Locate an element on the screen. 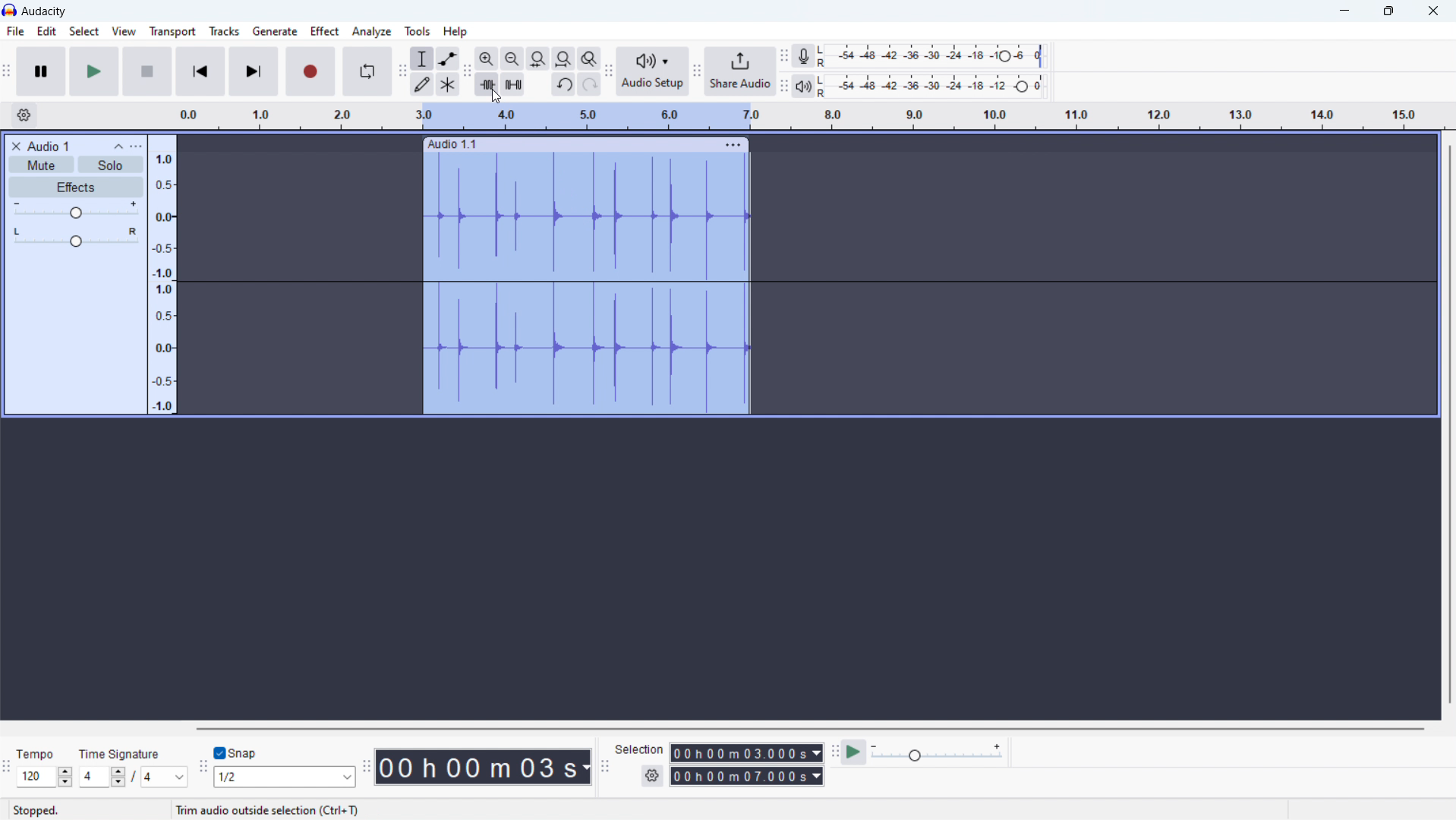  logo is located at coordinates (9, 10).